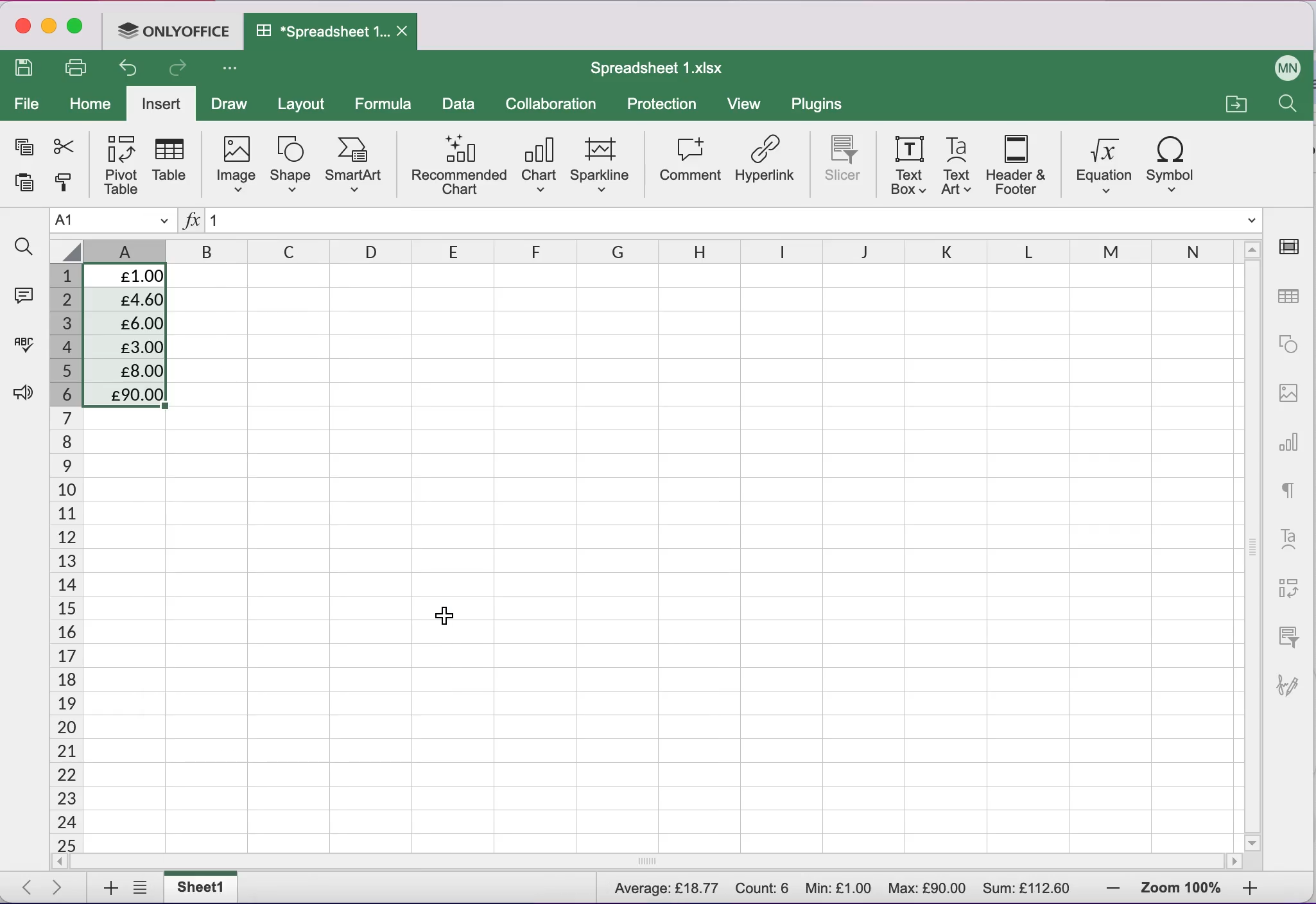 Image resolution: width=1316 pixels, height=904 pixels. I want to click on £90.00, so click(126, 392).